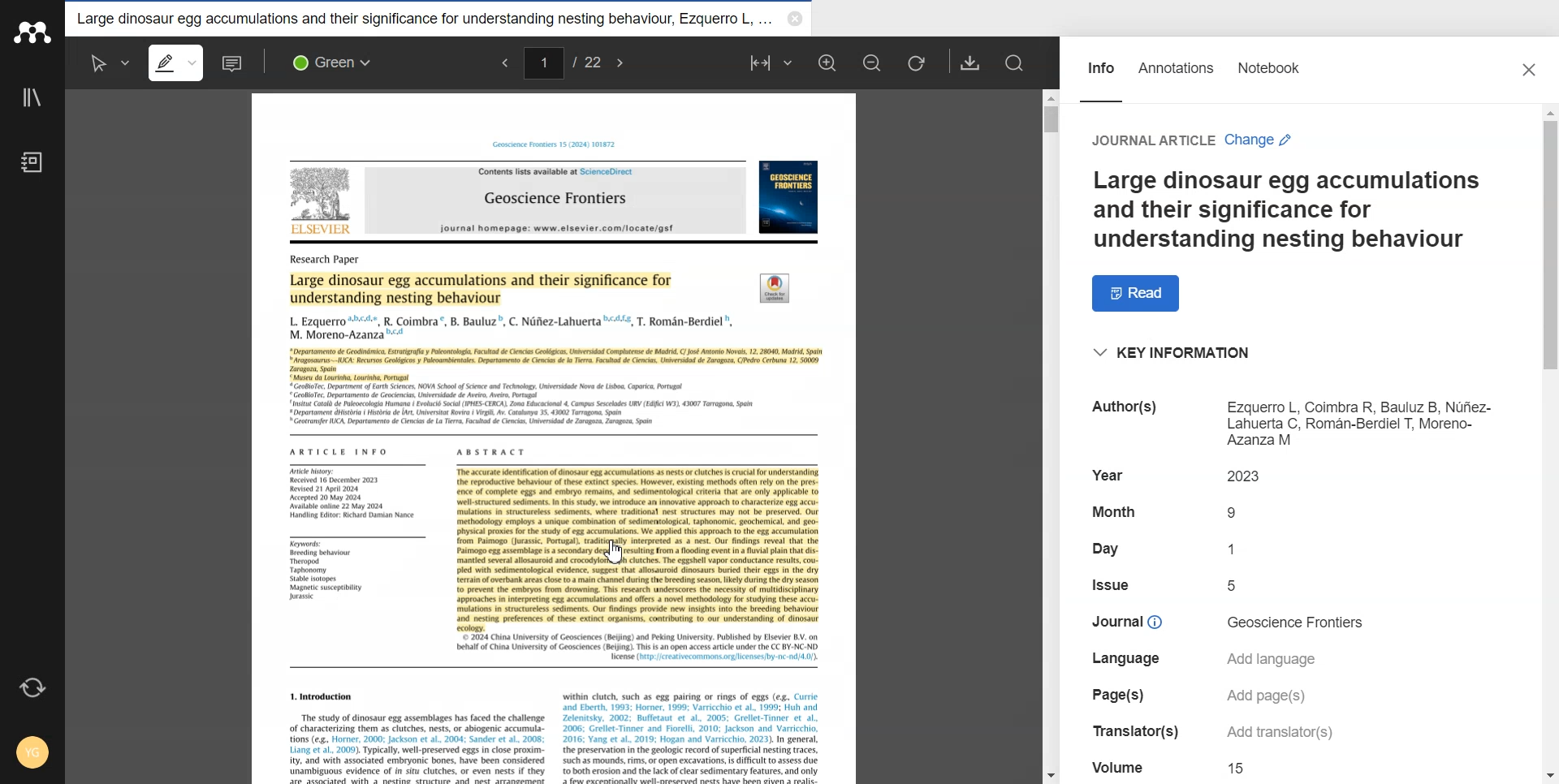 The width and height of the screenshot is (1559, 784). I want to click on text, so click(1116, 407).